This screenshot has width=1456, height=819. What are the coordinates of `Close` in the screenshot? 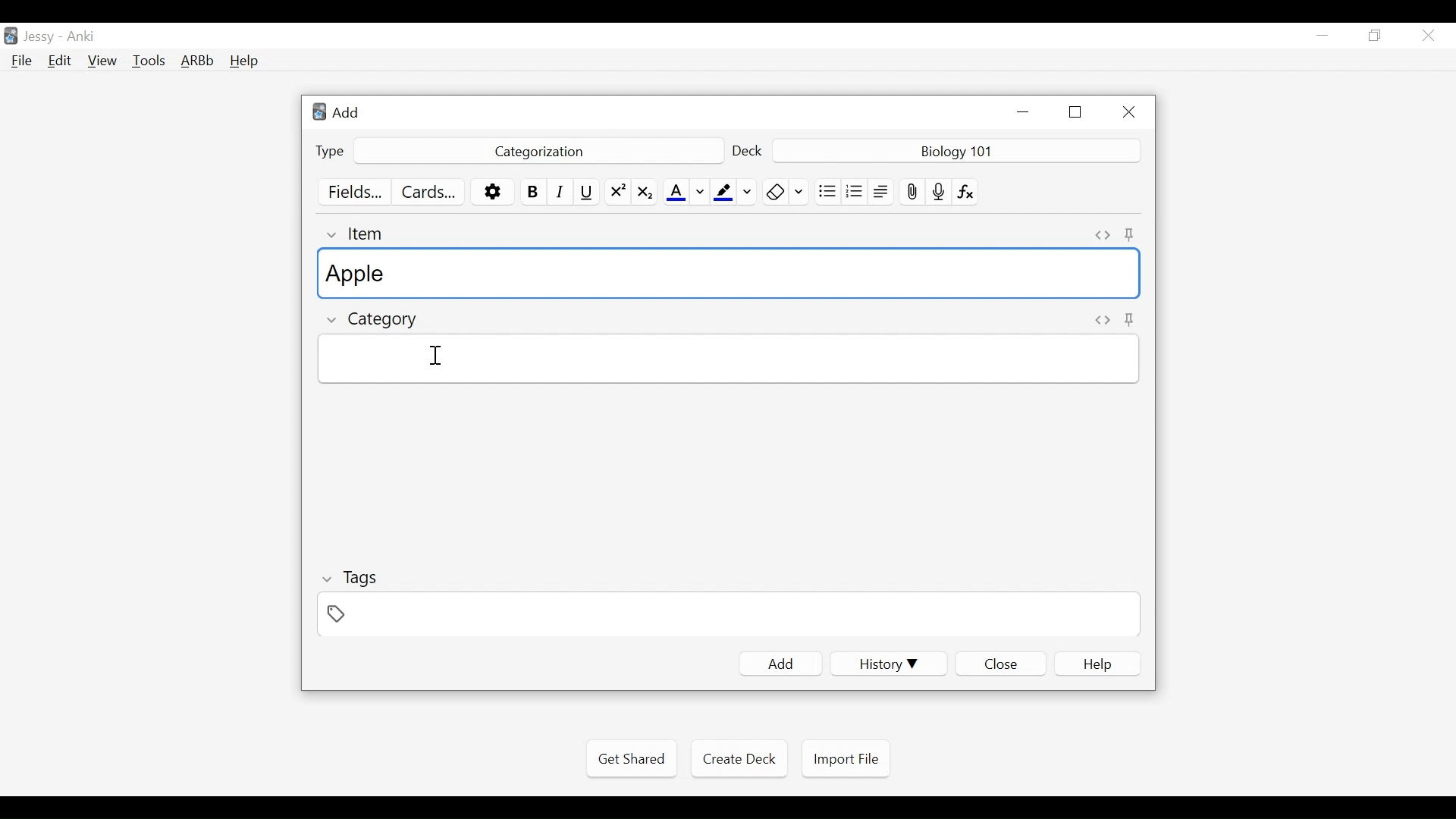 It's located at (1000, 664).